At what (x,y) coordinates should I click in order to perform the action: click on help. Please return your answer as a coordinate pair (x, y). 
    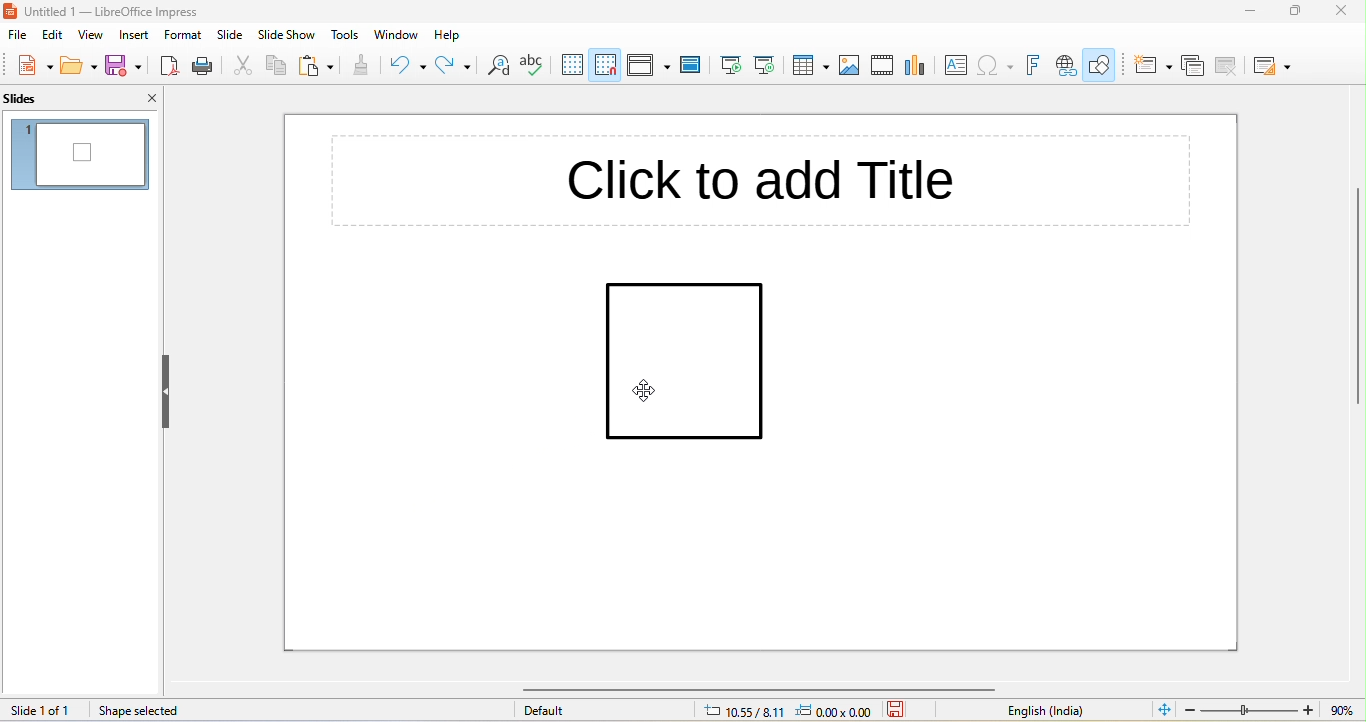
    Looking at the image, I should click on (449, 35).